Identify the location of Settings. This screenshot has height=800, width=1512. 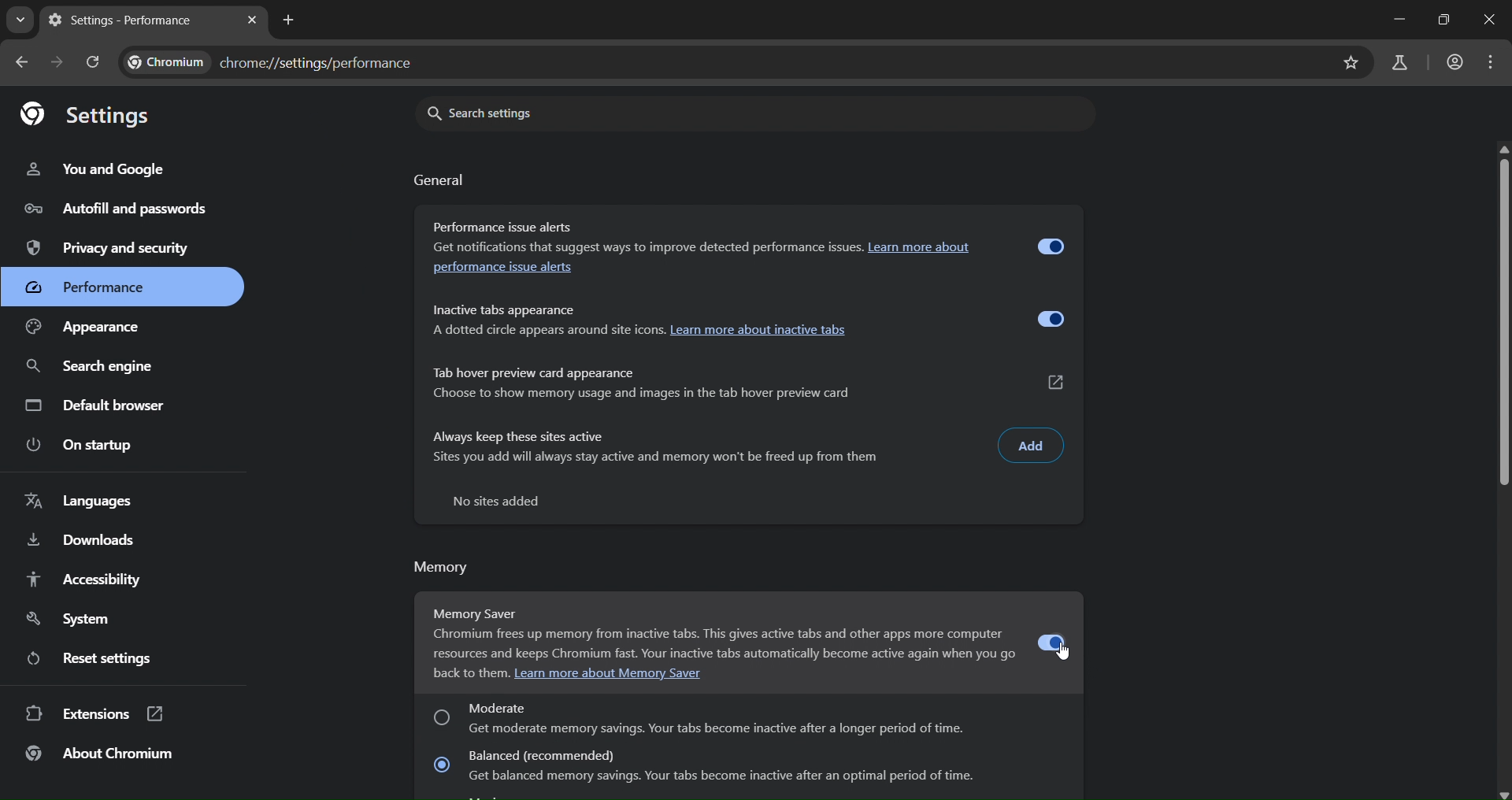
(86, 117).